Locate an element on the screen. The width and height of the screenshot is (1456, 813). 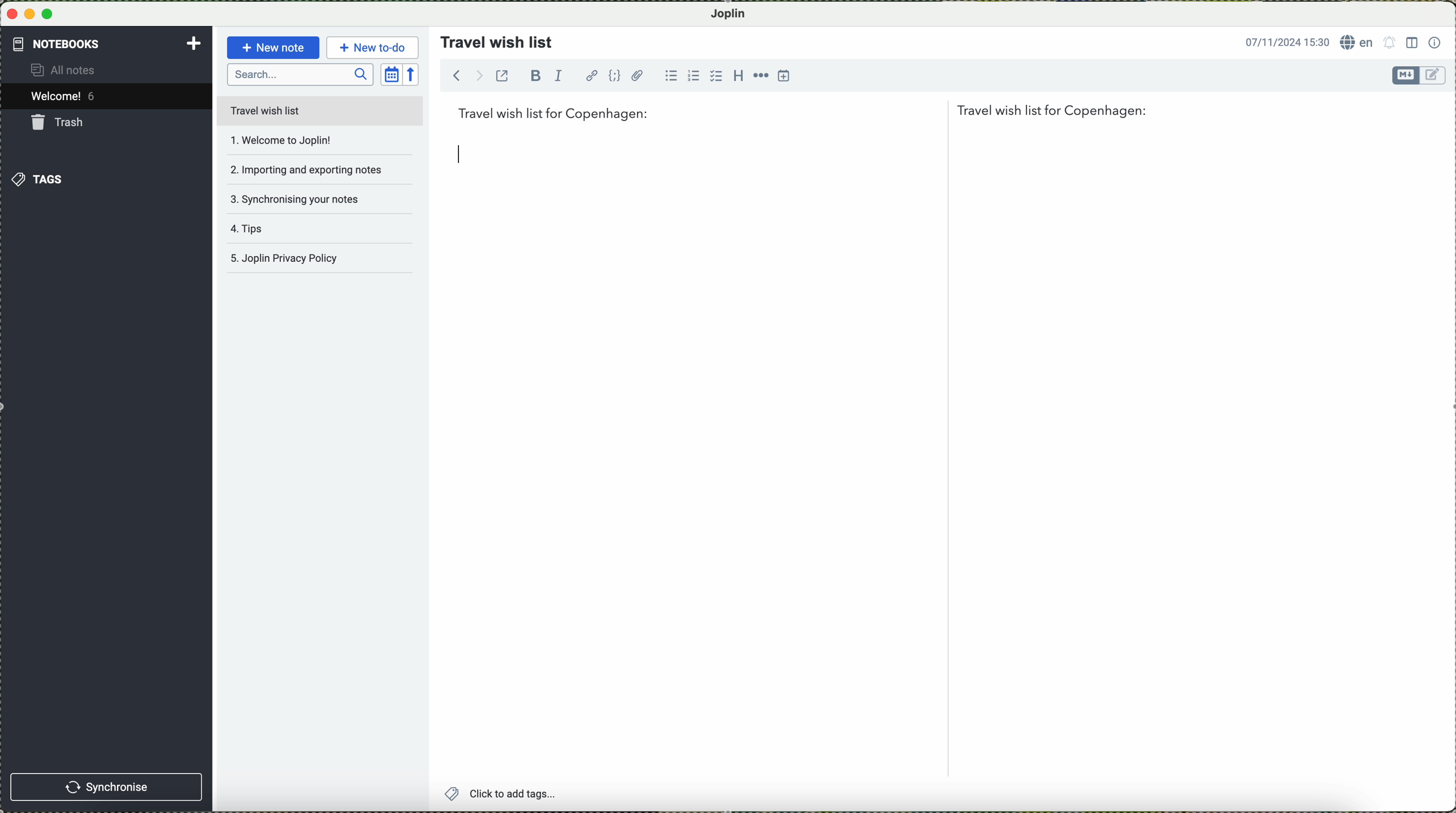
all notes is located at coordinates (73, 71).